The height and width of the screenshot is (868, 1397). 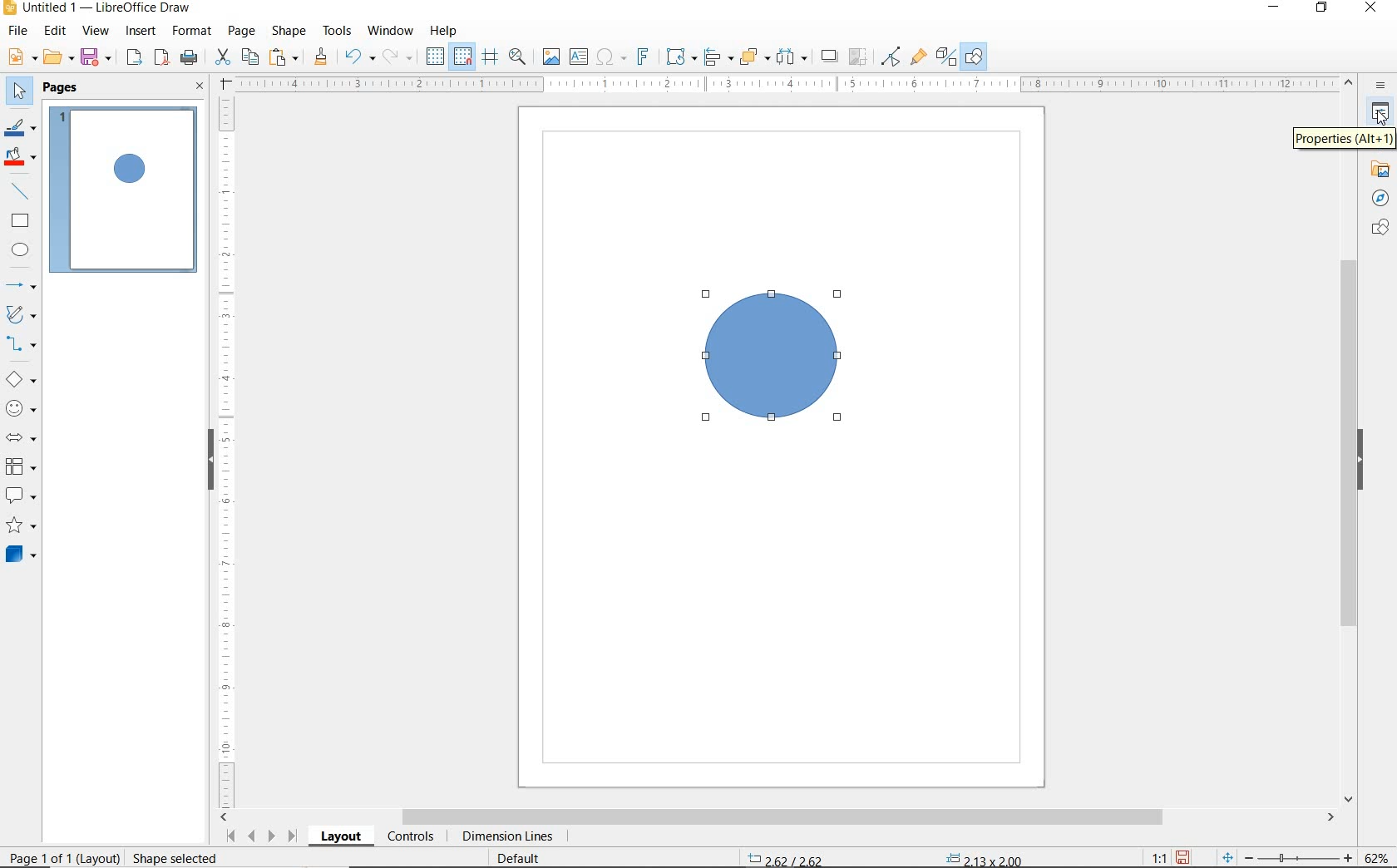 What do you see at coordinates (23, 314) in the screenshot?
I see `CURVES AND POLYGONS` at bounding box center [23, 314].